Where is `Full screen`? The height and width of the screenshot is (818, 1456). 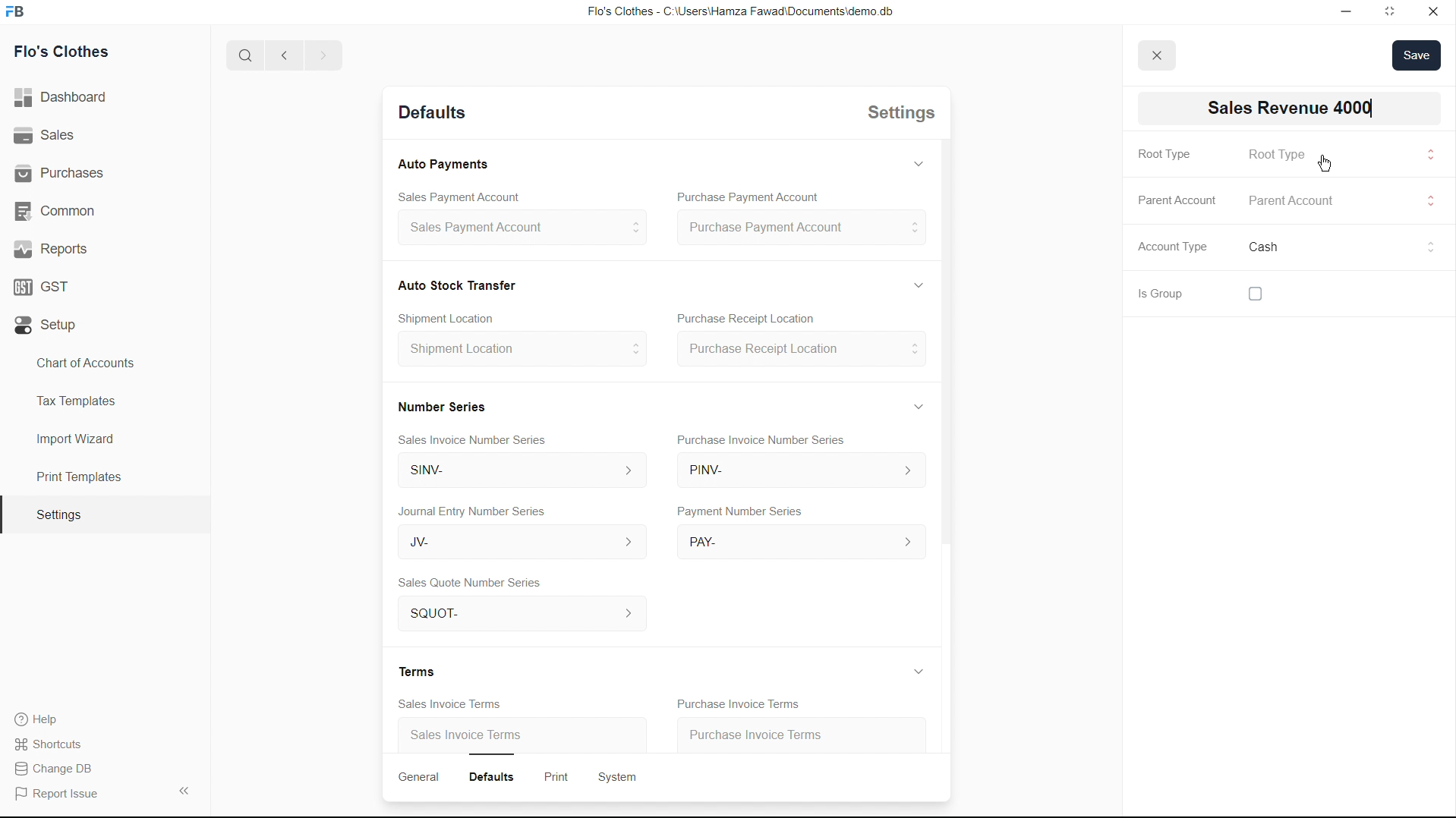
Full screen is located at coordinates (1391, 13).